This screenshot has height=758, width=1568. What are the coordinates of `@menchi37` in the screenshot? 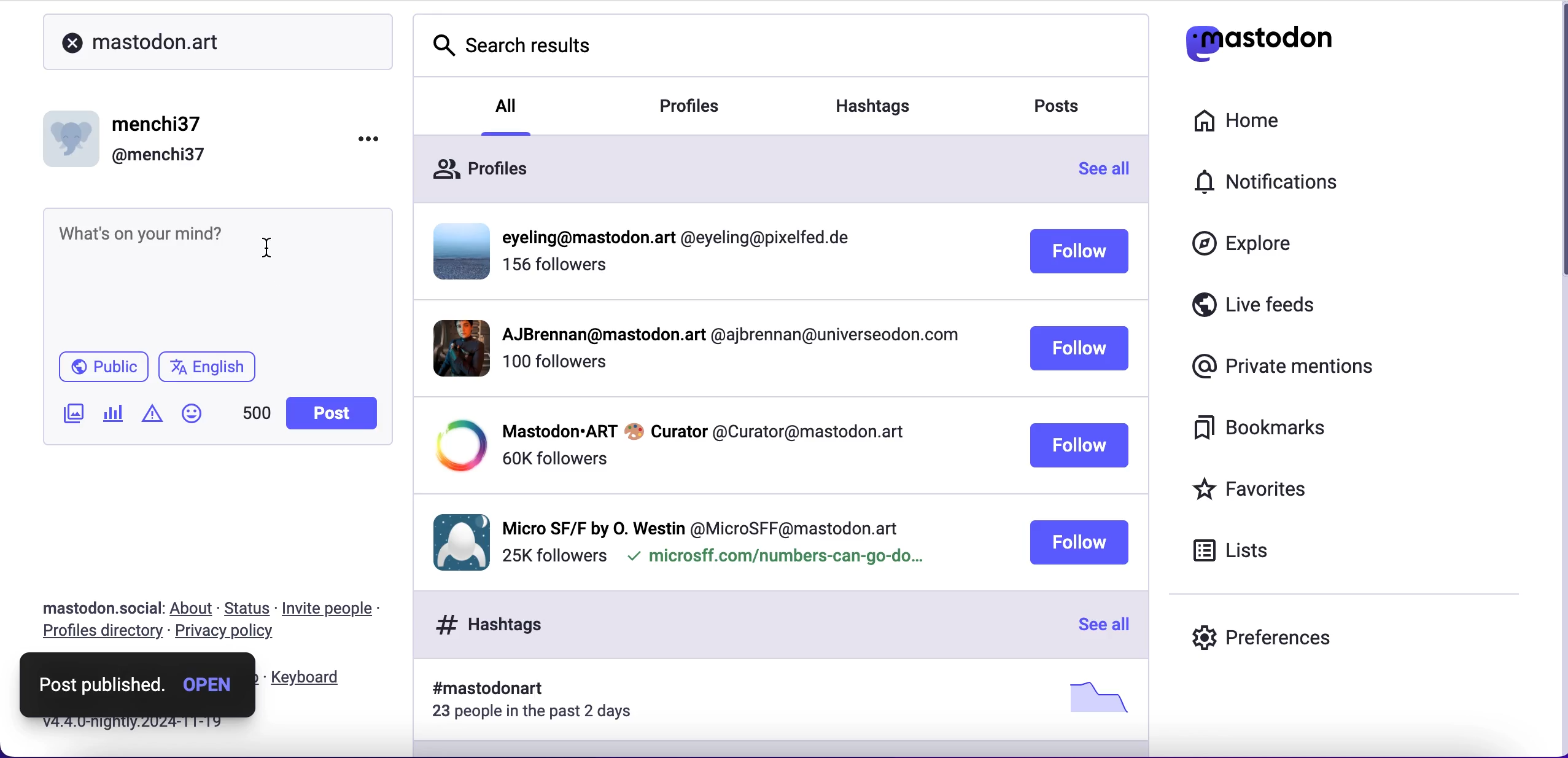 It's located at (159, 156).